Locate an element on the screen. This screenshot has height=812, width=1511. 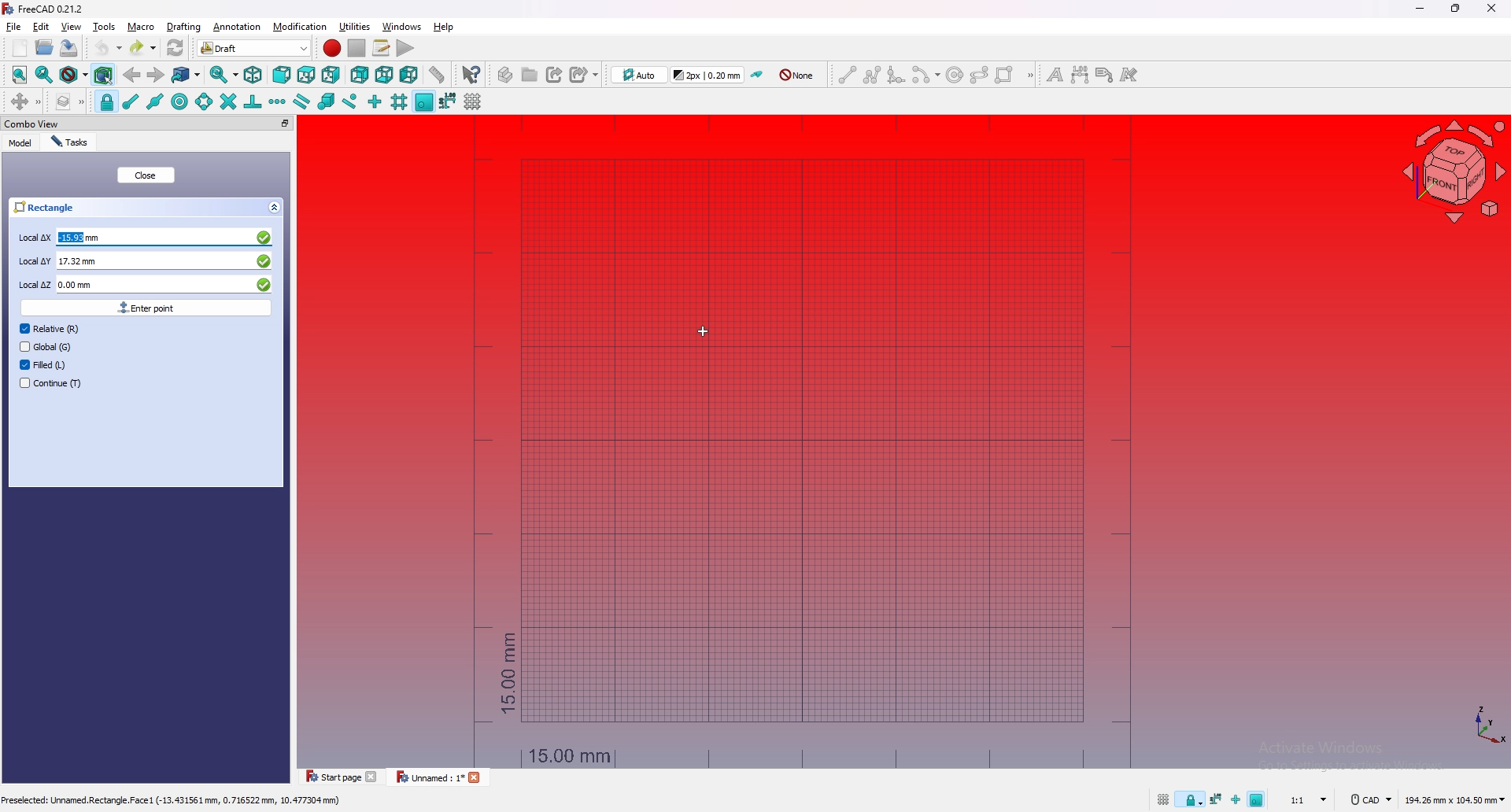
snap dimension is located at coordinates (448, 100).